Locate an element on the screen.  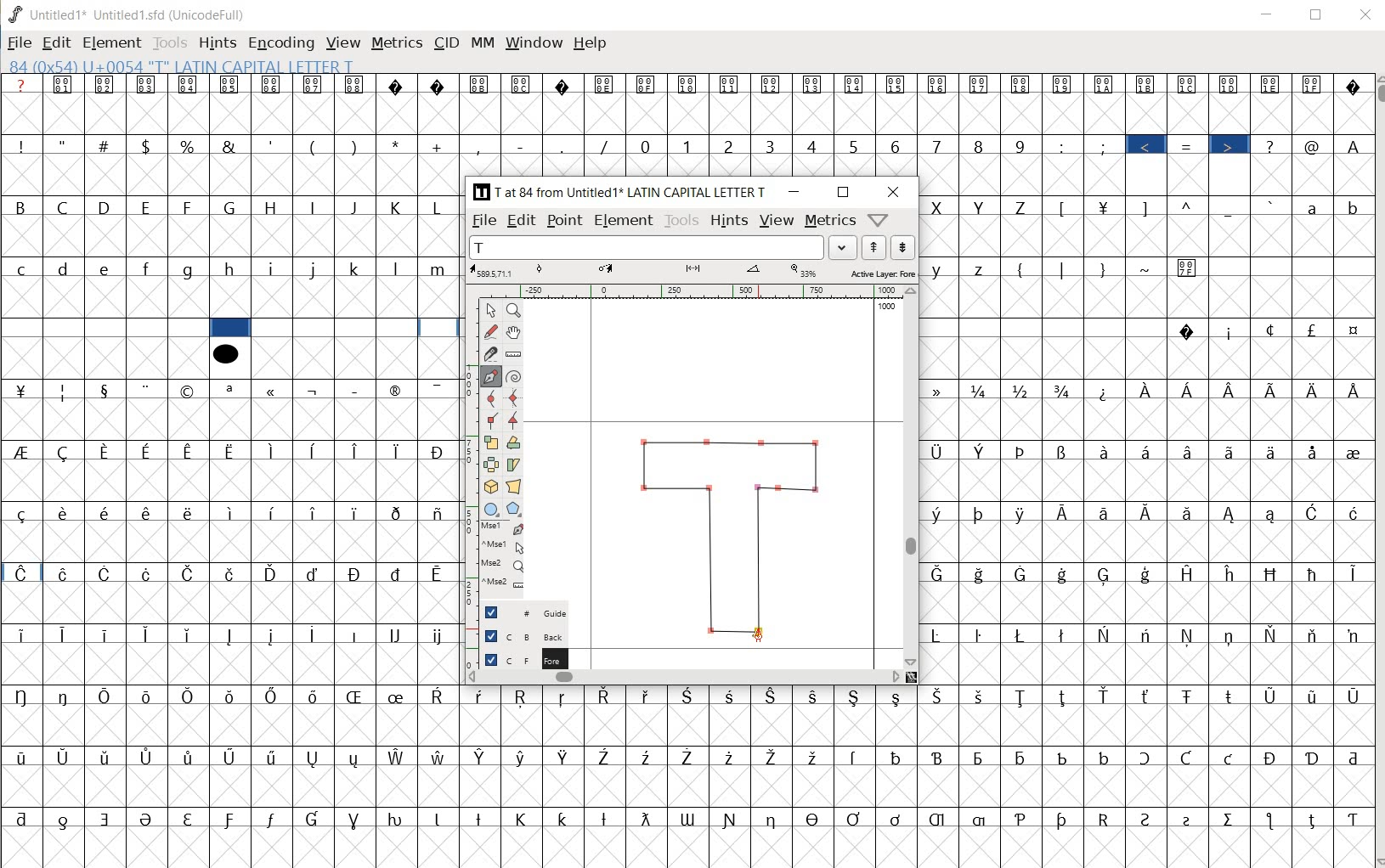
Symbol is located at coordinates (772, 85).